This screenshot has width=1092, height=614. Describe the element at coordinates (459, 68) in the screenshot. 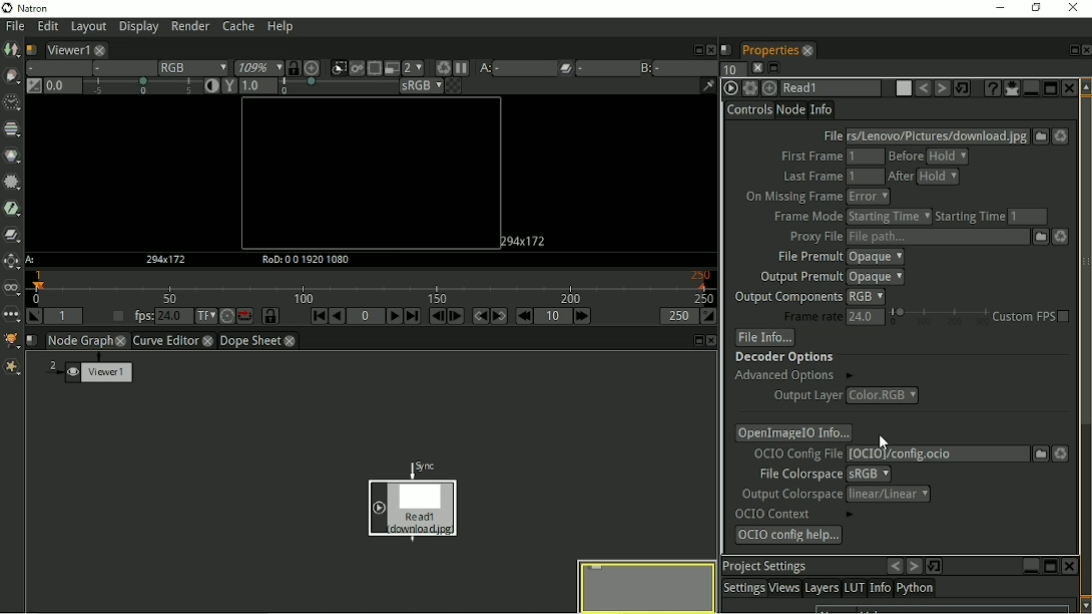

I see `Pause updates` at that location.